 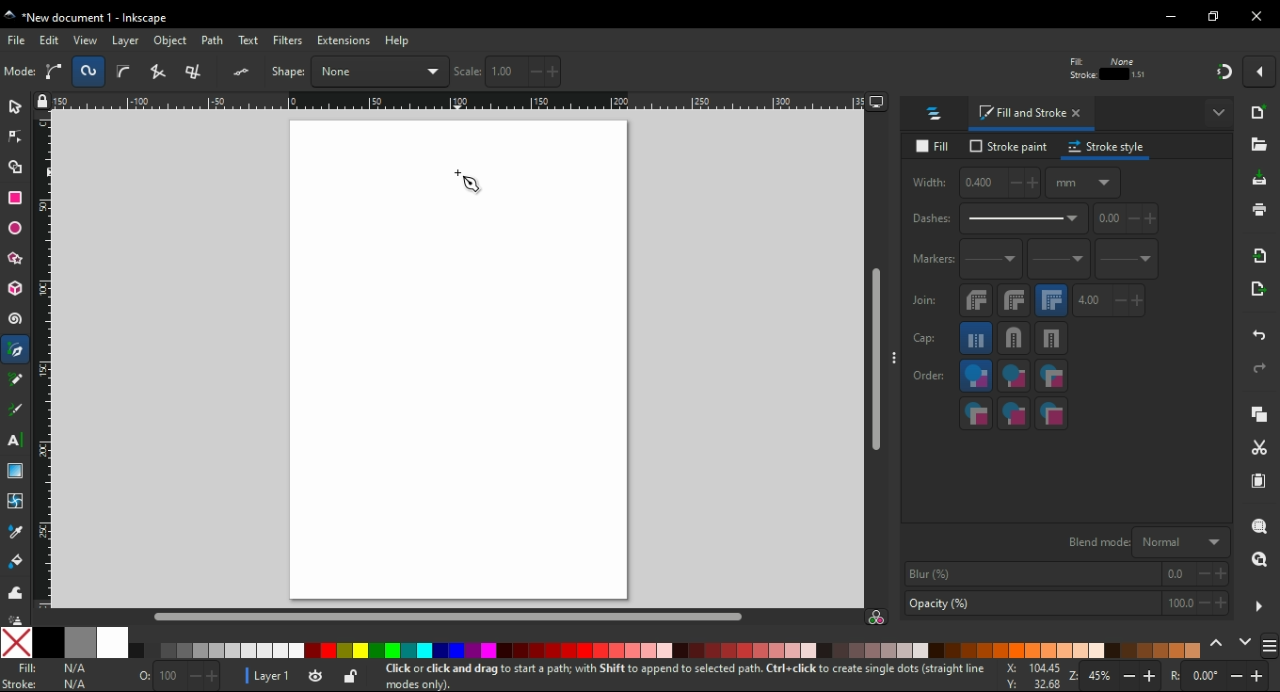 What do you see at coordinates (1014, 413) in the screenshot?
I see `stroke markers` at bounding box center [1014, 413].